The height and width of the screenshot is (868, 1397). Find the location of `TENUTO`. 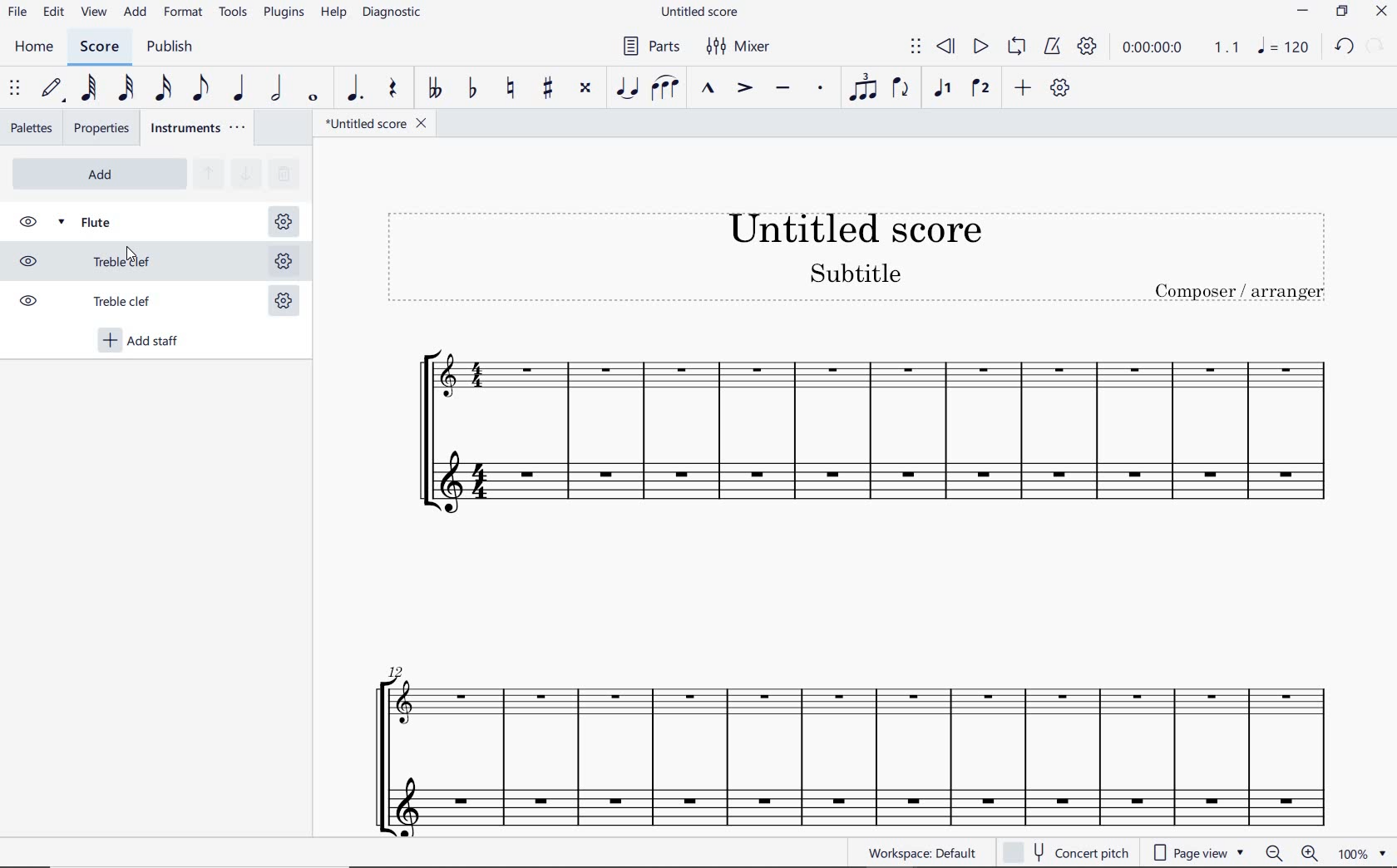

TENUTO is located at coordinates (782, 90).